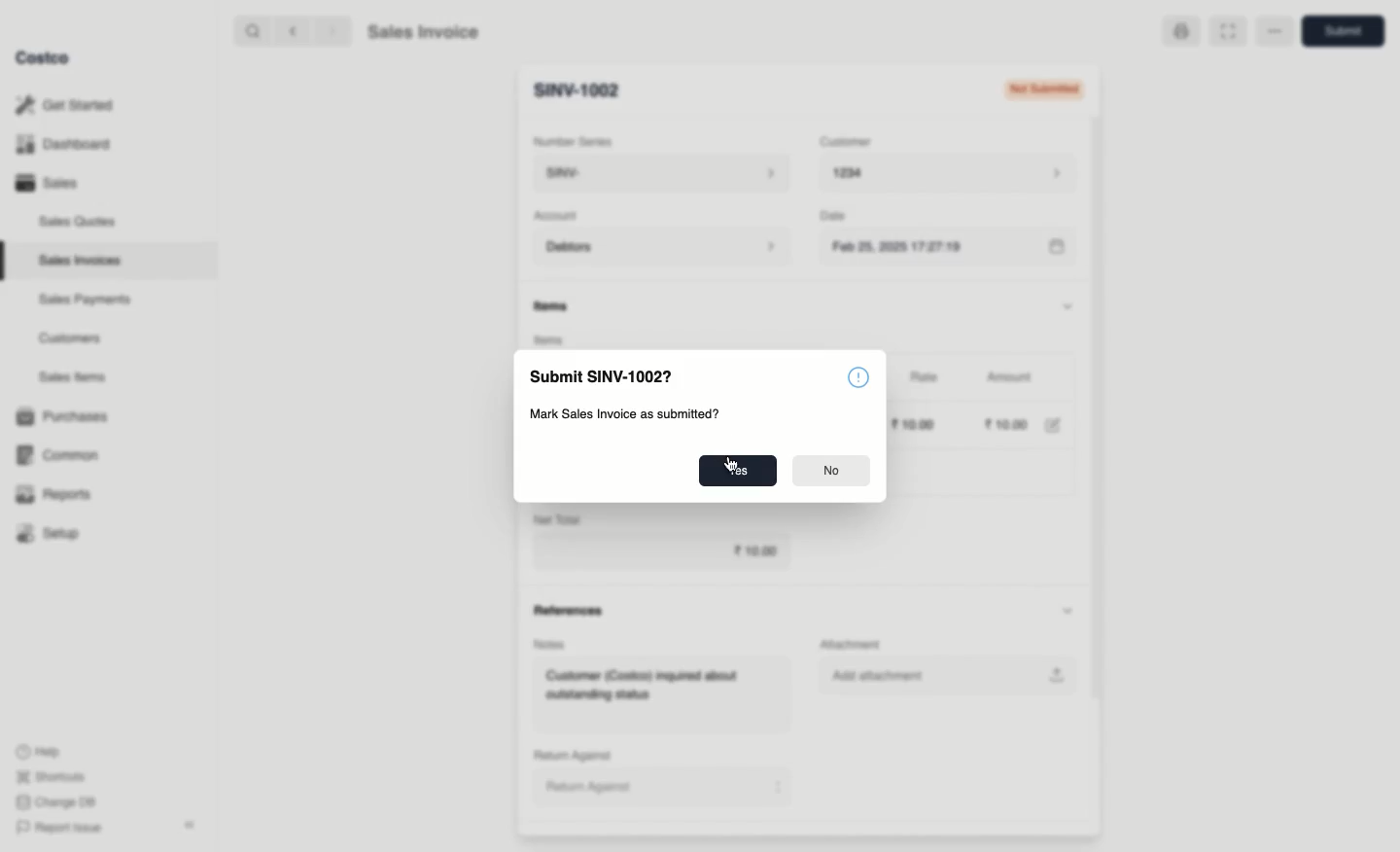 This screenshot has height=852, width=1400. Describe the element at coordinates (427, 32) in the screenshot. I see `Sales Invoice` at that location.